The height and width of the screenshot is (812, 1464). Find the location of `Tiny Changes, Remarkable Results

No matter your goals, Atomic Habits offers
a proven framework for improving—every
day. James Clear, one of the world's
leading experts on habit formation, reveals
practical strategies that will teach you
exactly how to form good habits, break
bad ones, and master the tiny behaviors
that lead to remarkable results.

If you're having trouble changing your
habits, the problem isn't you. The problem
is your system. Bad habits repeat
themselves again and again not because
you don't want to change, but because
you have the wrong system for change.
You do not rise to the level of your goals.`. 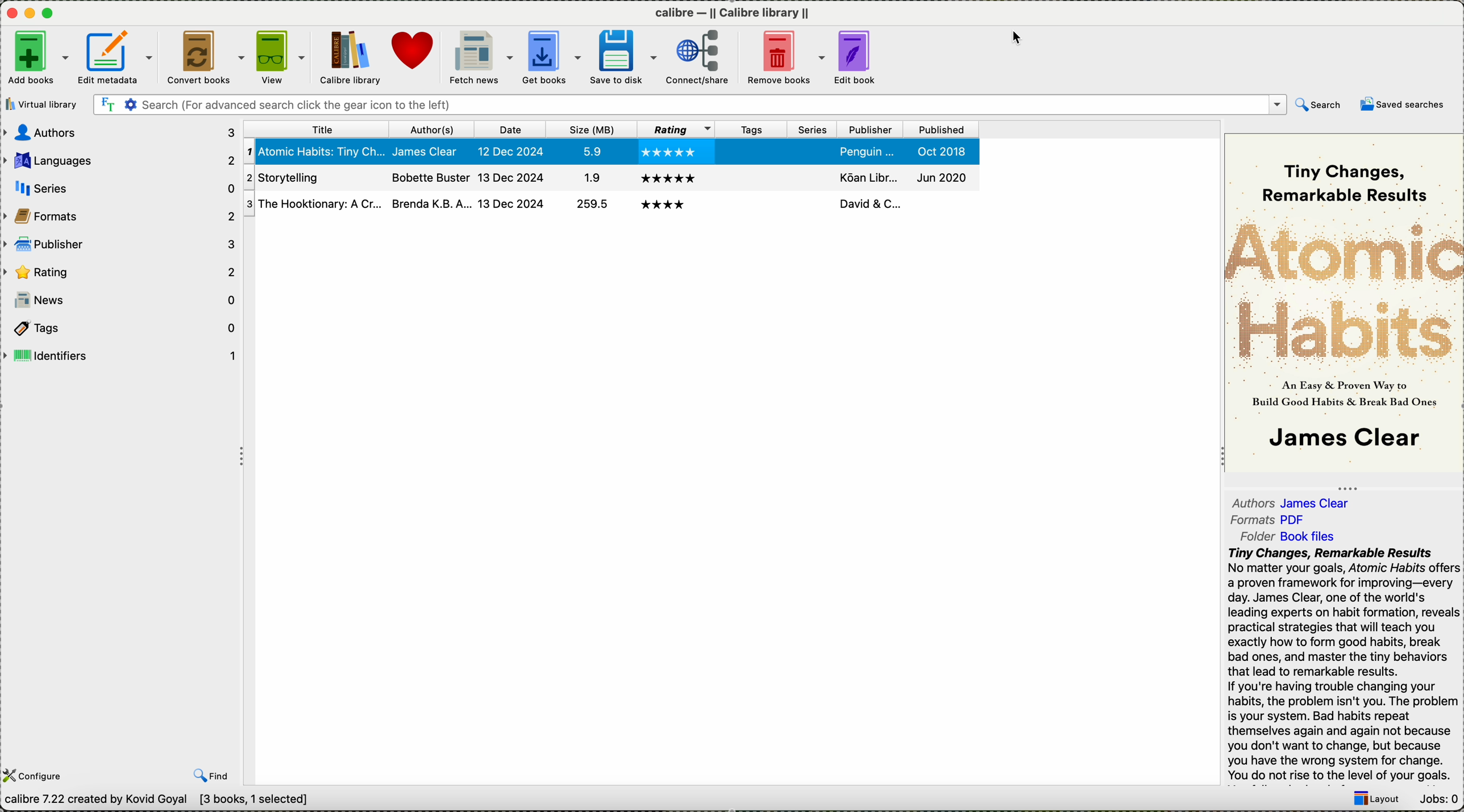

Tiny Changes, Remarkable Results

No matter your goals, Atomic Habits offers
a proven framework for improving—every
day. James Clear, one of the world's
leading experts on habit formation, reveals
practical strategies that will teach you
exactly how to form good habits, break
bad ones, and master the tiny behaviors
that lead to remarkable results.

If you're having trouble changing your
habits, the problem isn't you. The problem
is your system. Bad habits repeat
themselves again and again not because
you don't want to change, but because
you have the wrong system for change.
You do not rise to the level of your goals. is located at coordinates (1342, 665).